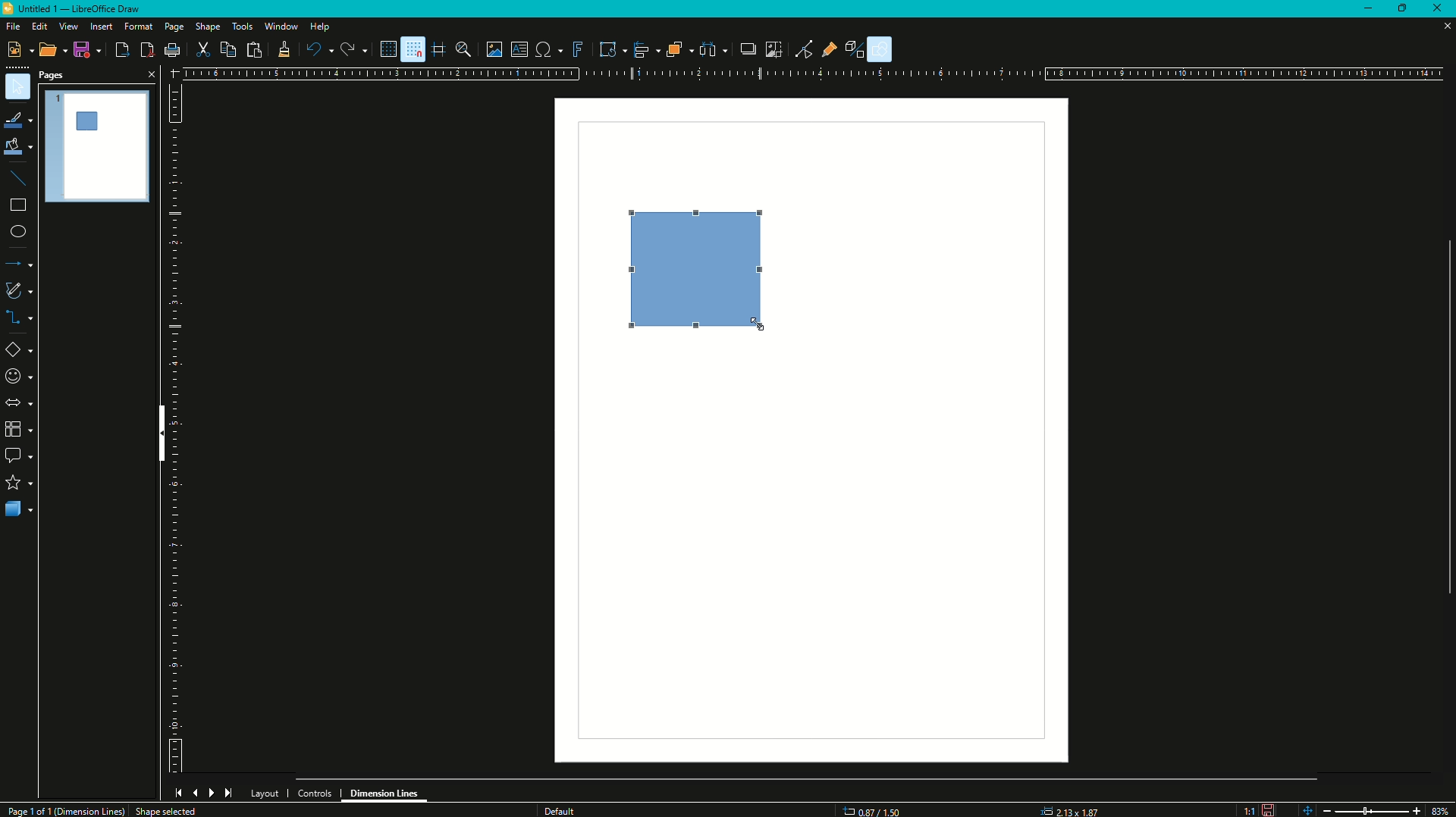  I want to click on Toggle Point Edit Mode, so click(803, 49).